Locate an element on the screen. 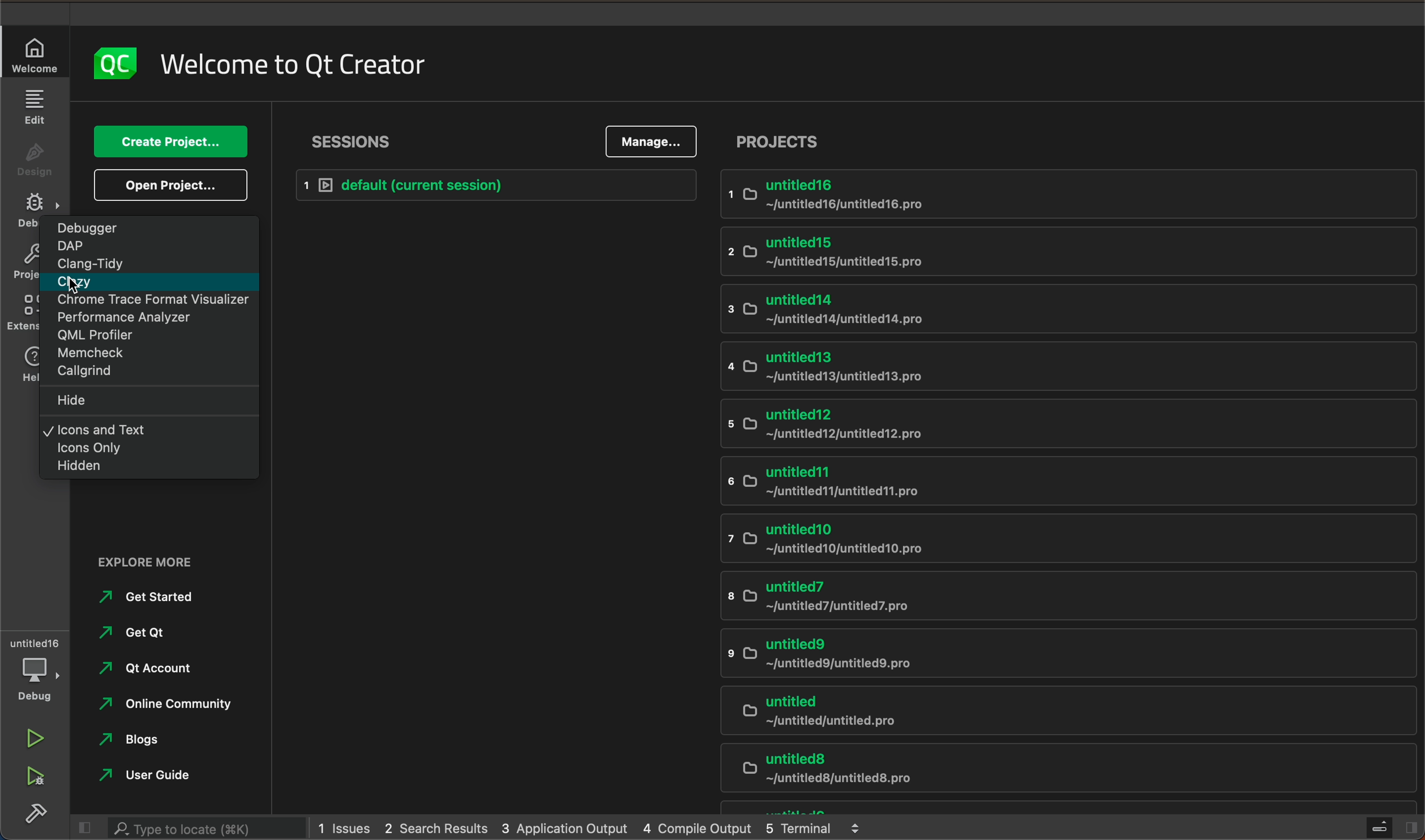 The width and height of the screenshot is (1425, 840). debugger is located at coordinates (150, 227).